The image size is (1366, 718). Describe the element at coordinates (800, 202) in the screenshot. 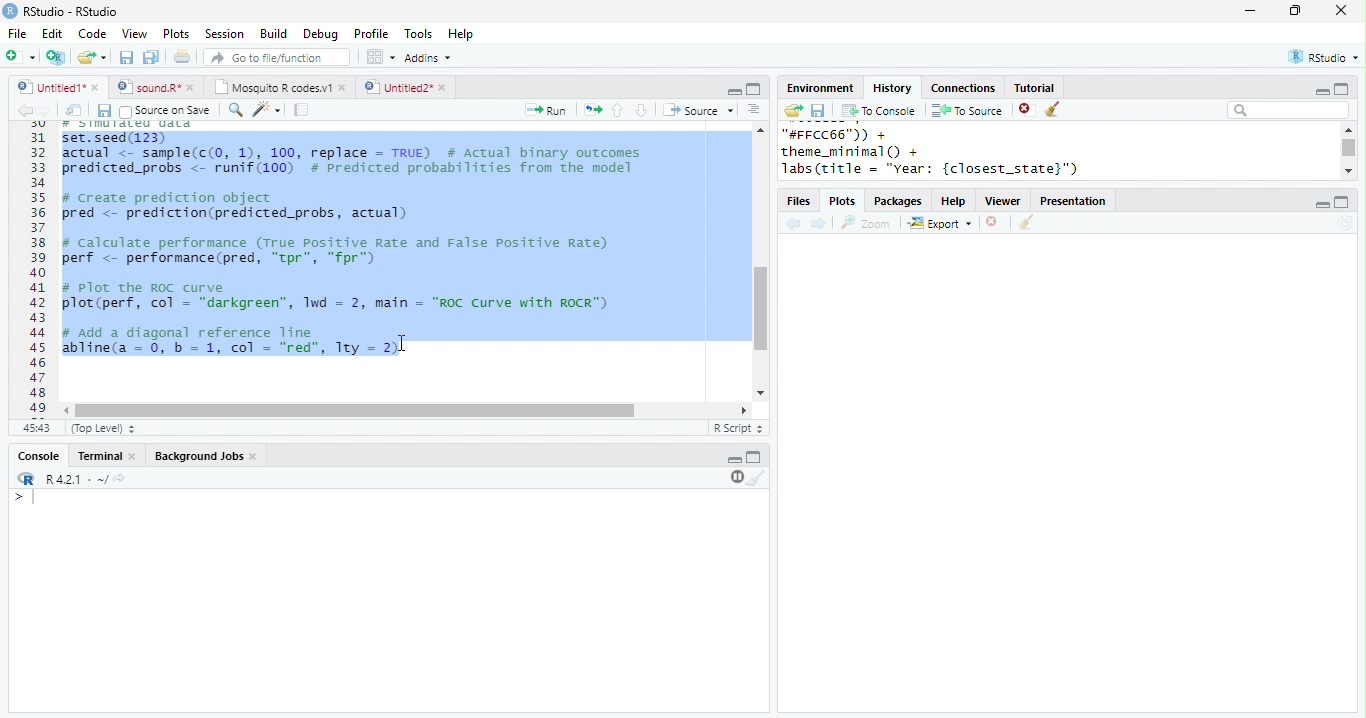

I see `files` at that location.